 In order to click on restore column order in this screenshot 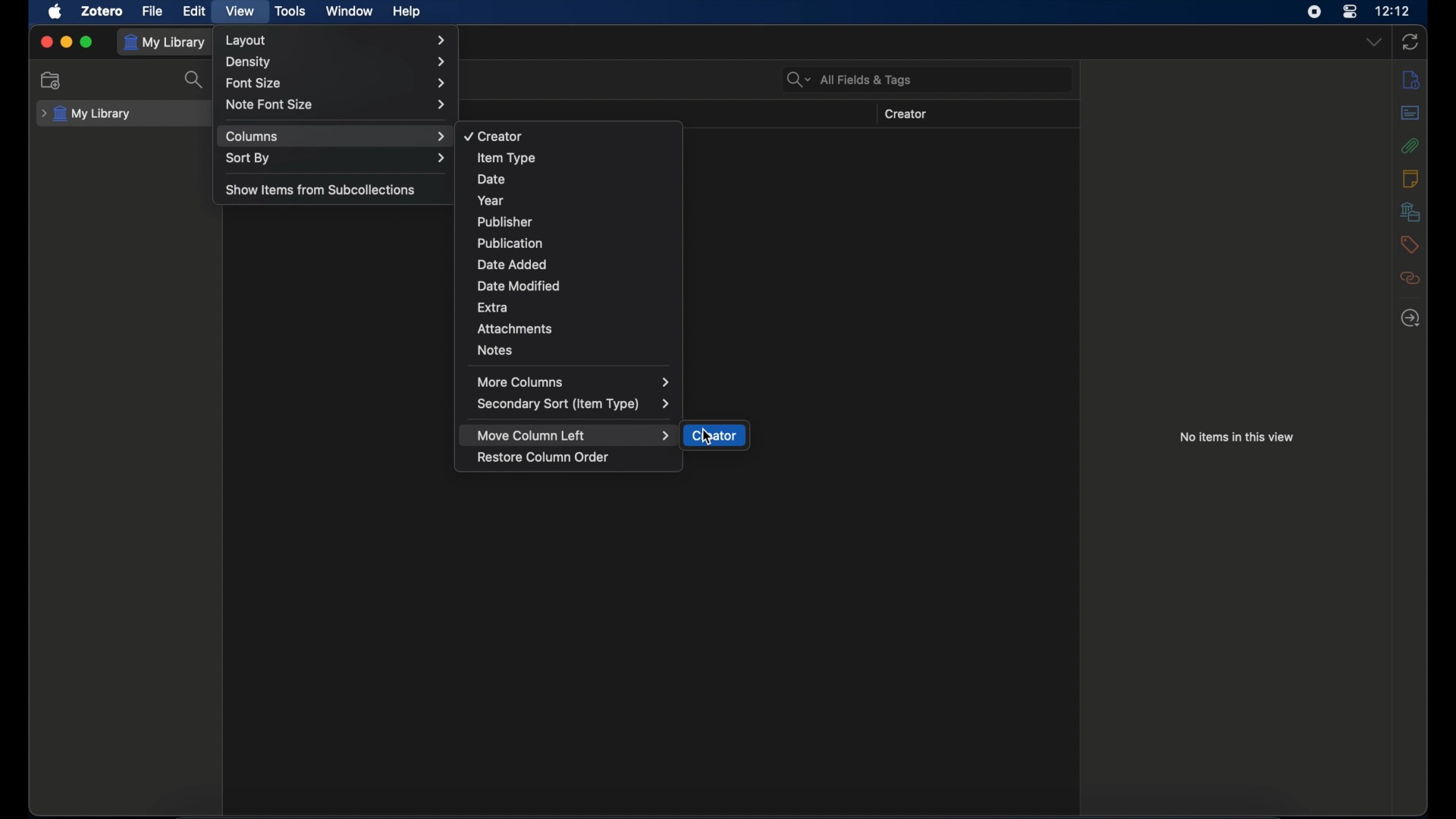, I will do `click(544, 457)`.